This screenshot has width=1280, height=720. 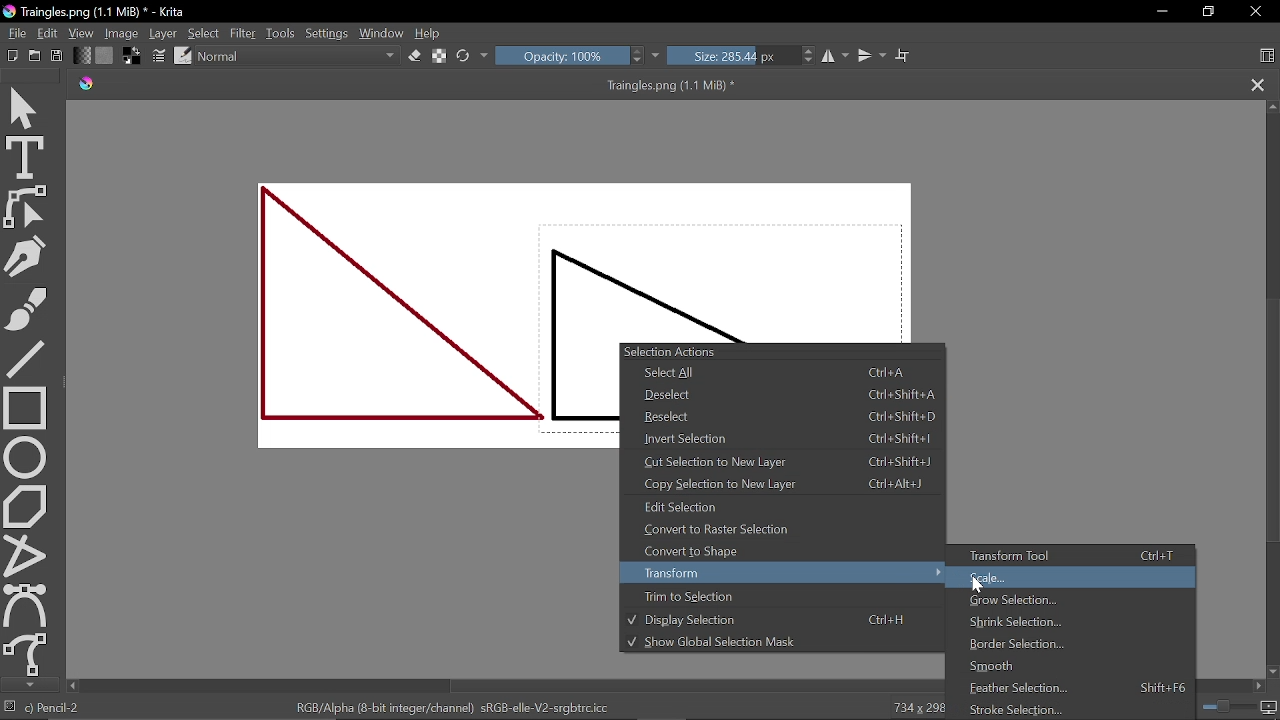 I want to click on Selection Actions, so click(x=786, y=350).